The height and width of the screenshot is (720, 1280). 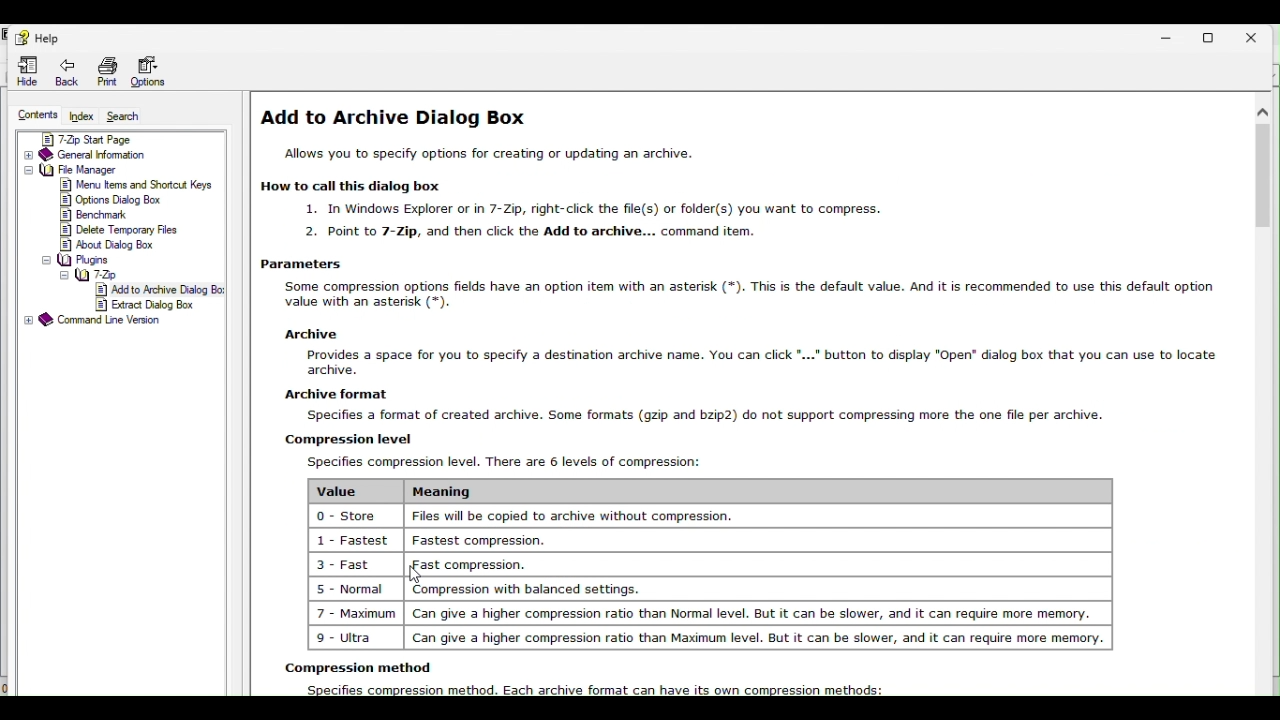 I want to click on 7 zip start page, so click(x=118, y=139).